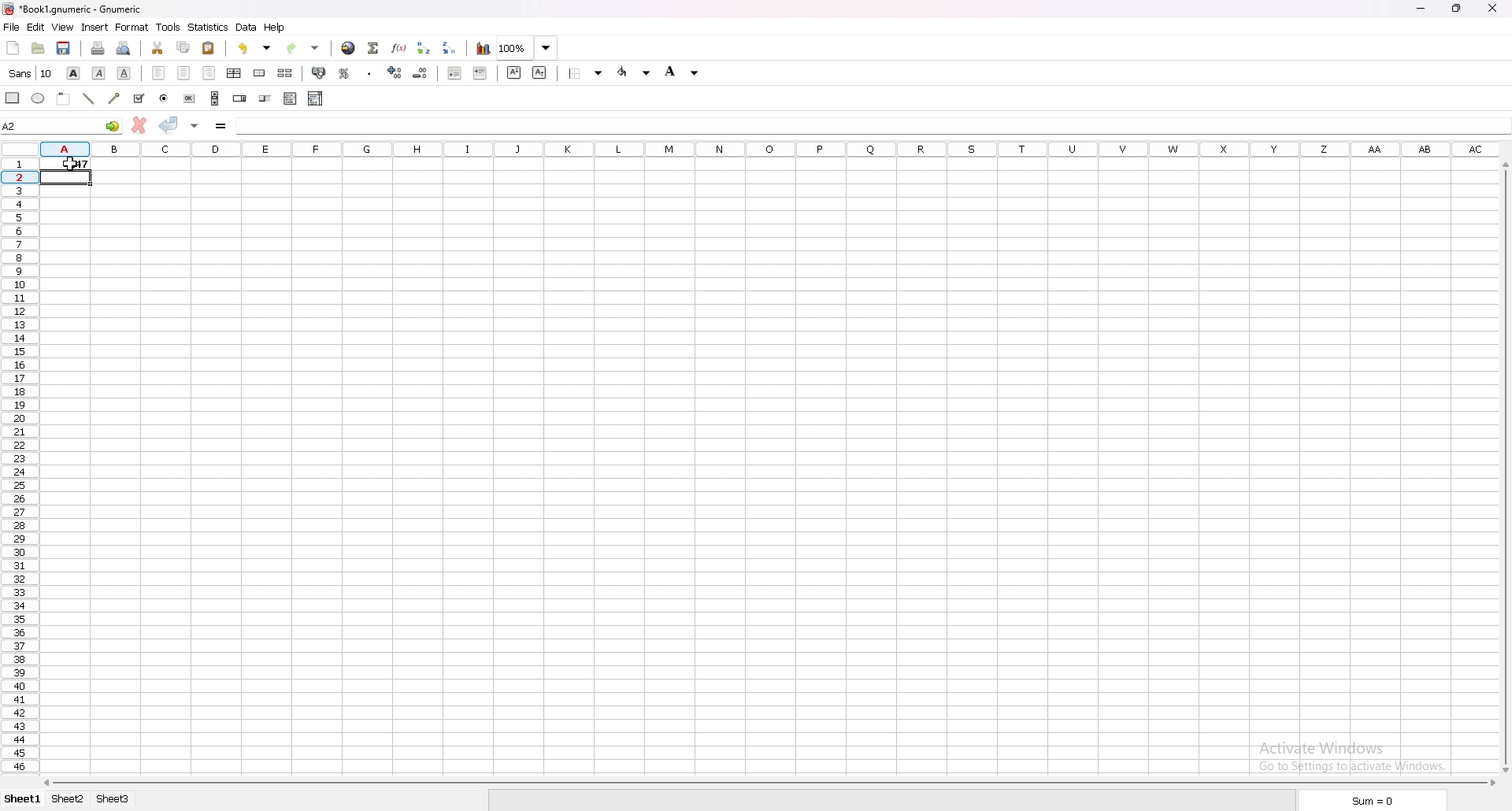 The image size is (1512, 811). Describe the element at coordinates (349, 48) in the screenshot. I see `hyperlink` at that location.